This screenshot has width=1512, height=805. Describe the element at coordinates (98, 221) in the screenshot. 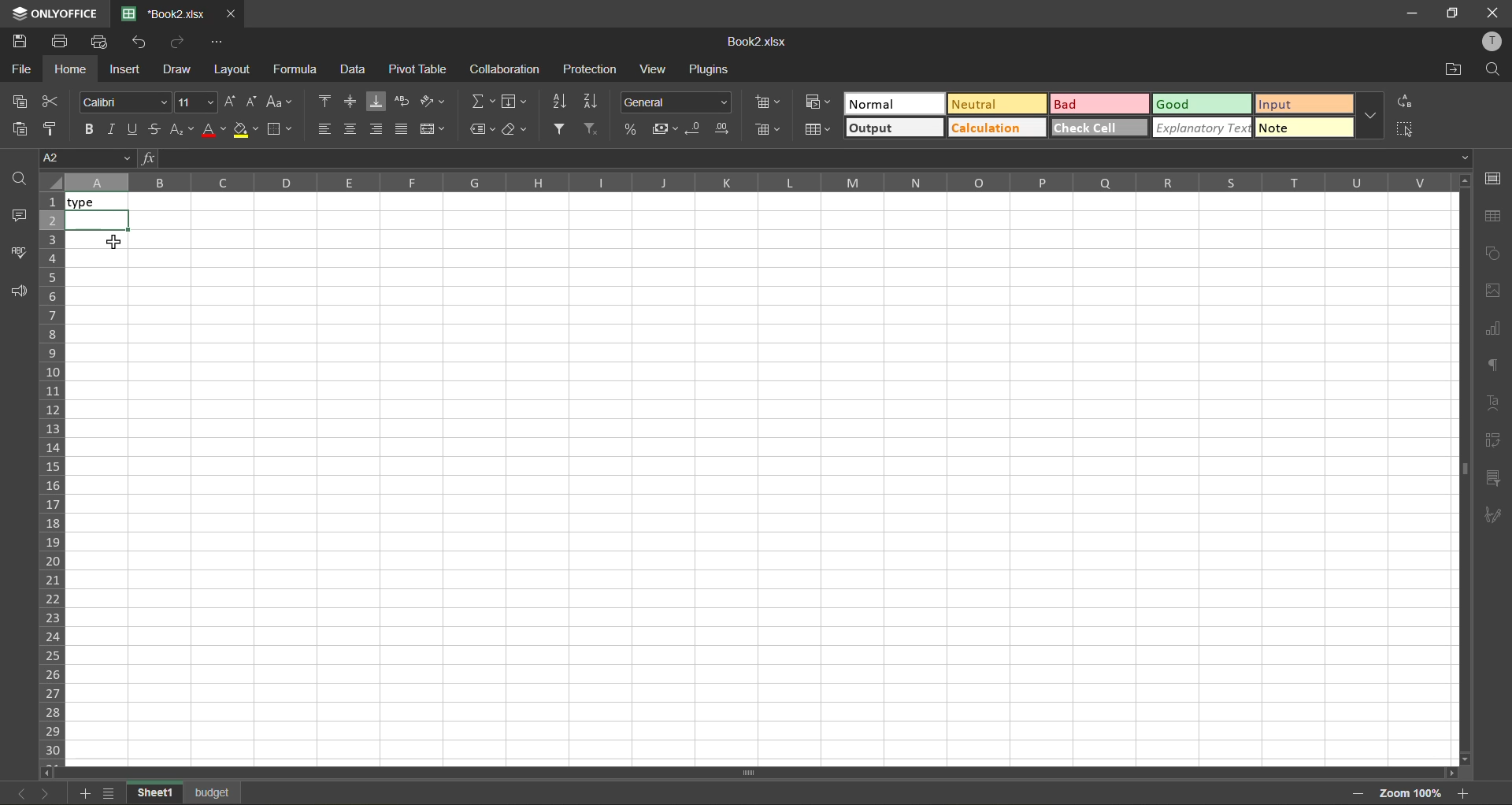

I see `selected cell` at that location.